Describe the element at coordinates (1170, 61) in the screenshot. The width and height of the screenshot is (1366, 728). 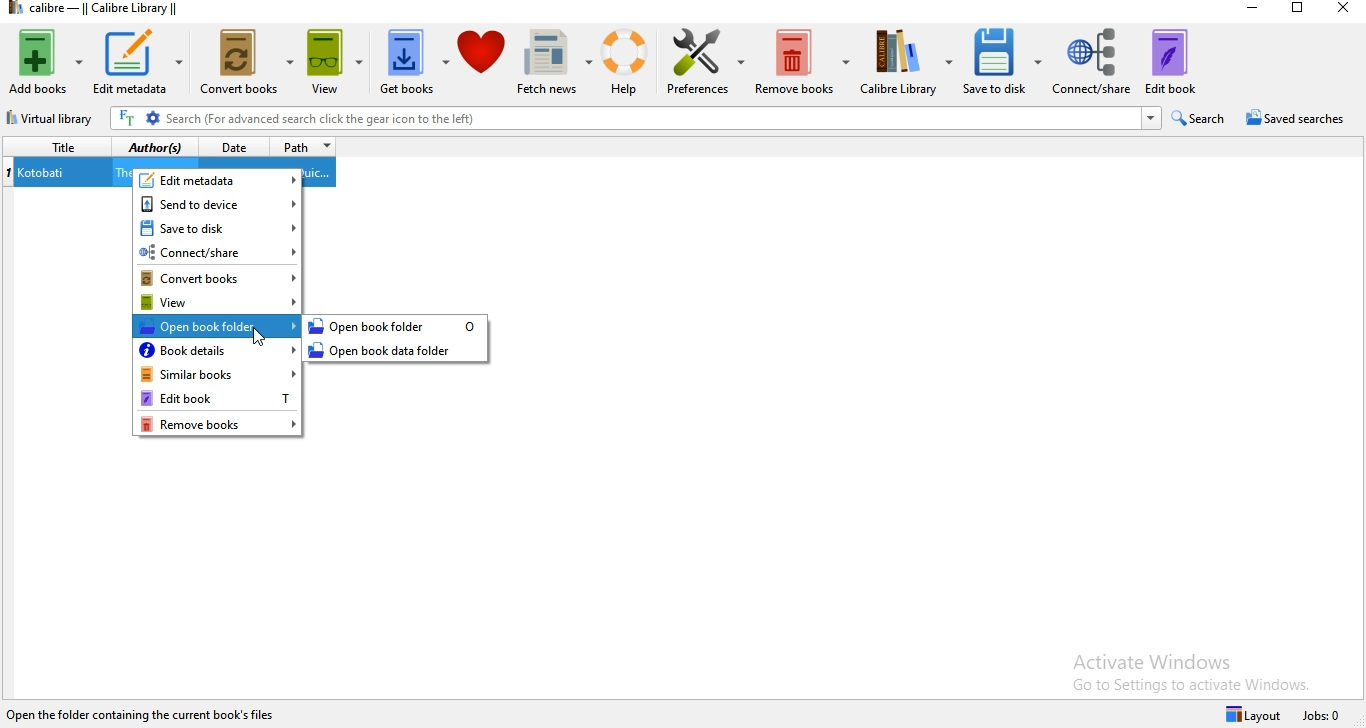
I see `edit book` at that location.